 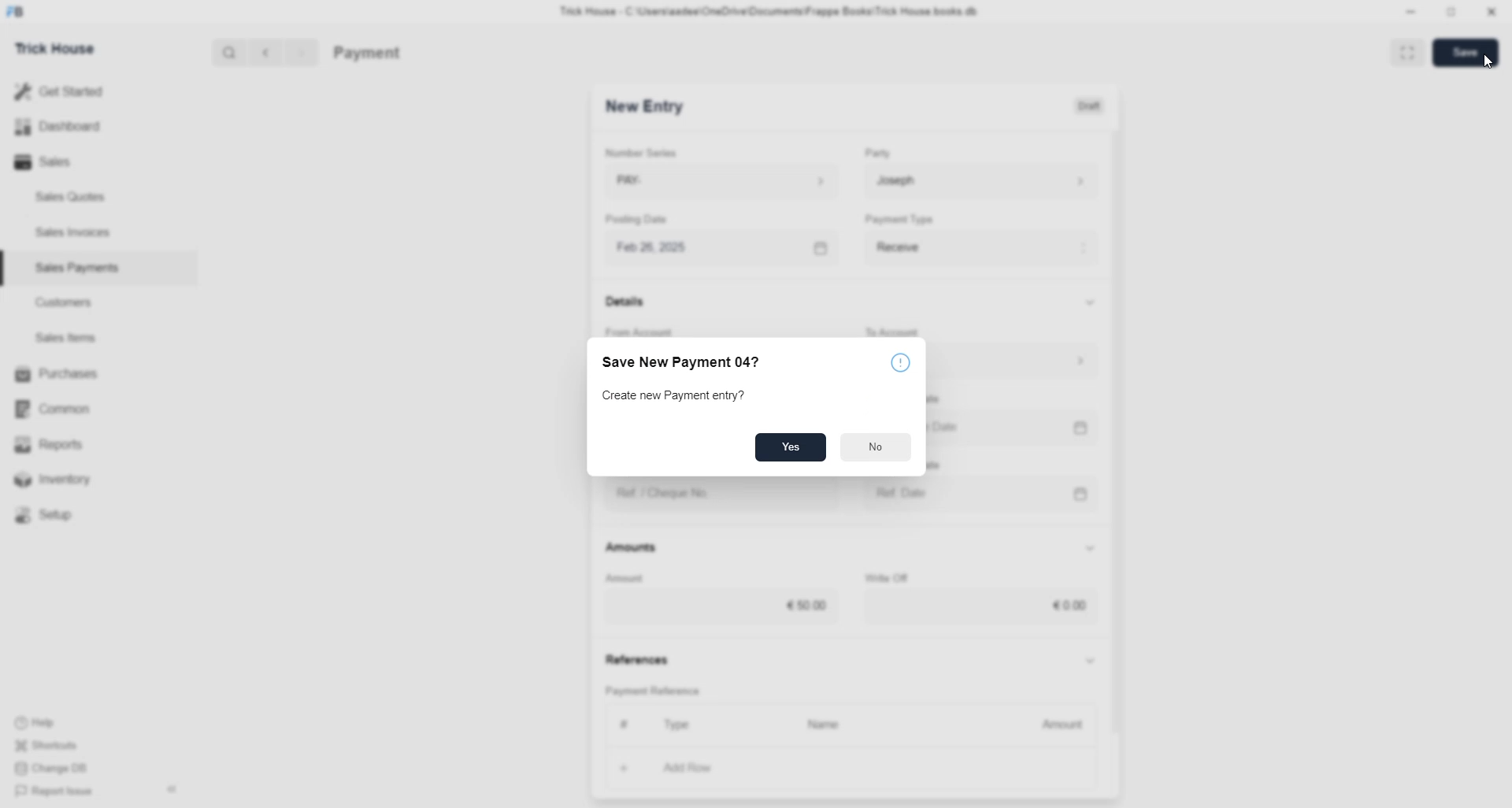 I want to click on Show/Hide, so click(x=1091, y=302).